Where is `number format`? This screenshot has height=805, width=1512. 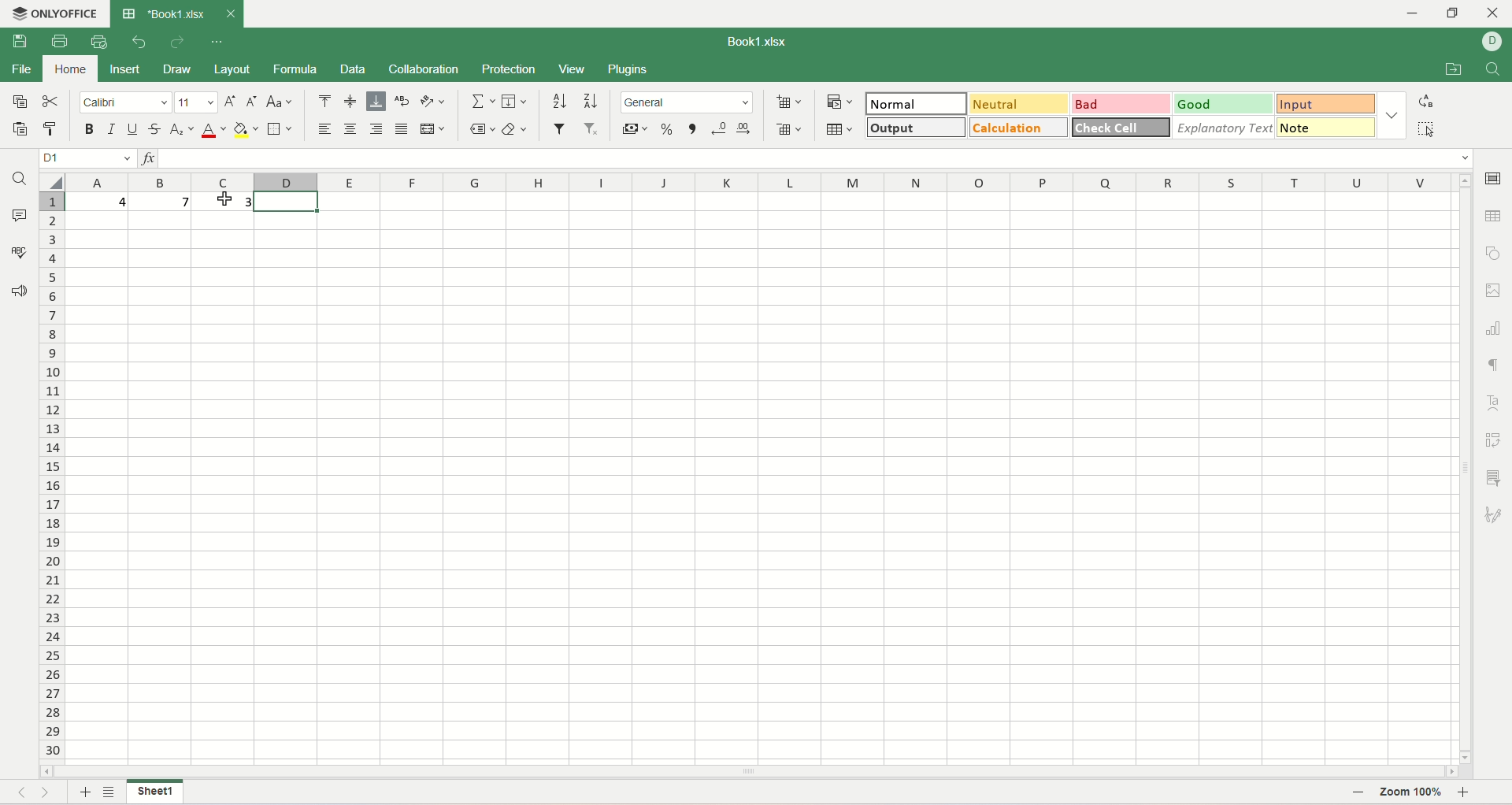 number format is located at coordinates (687, 102).